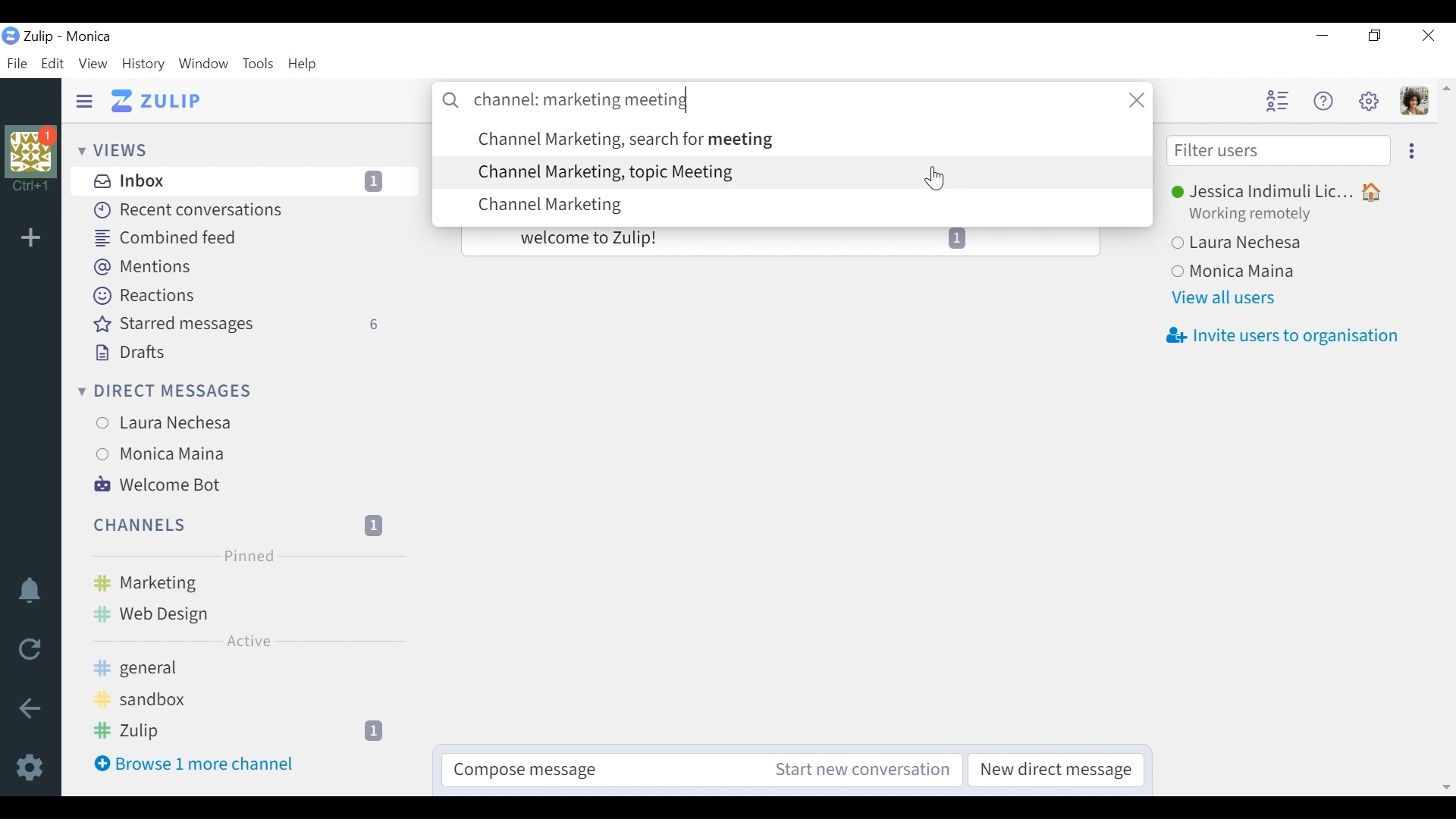  I want to click on sandbox, so click(252, 695).